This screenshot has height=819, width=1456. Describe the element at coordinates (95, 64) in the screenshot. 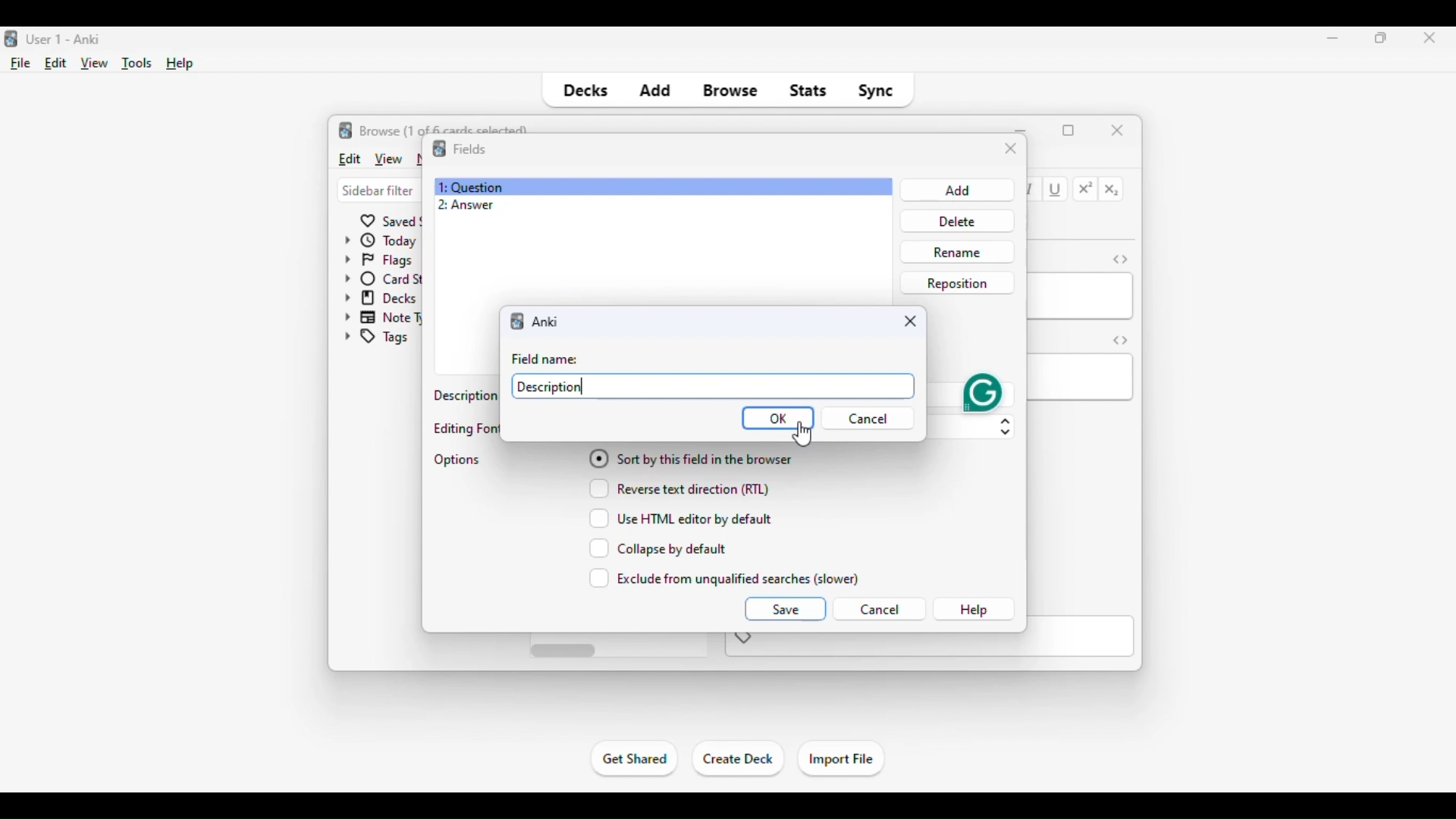

I see `view` at that location.